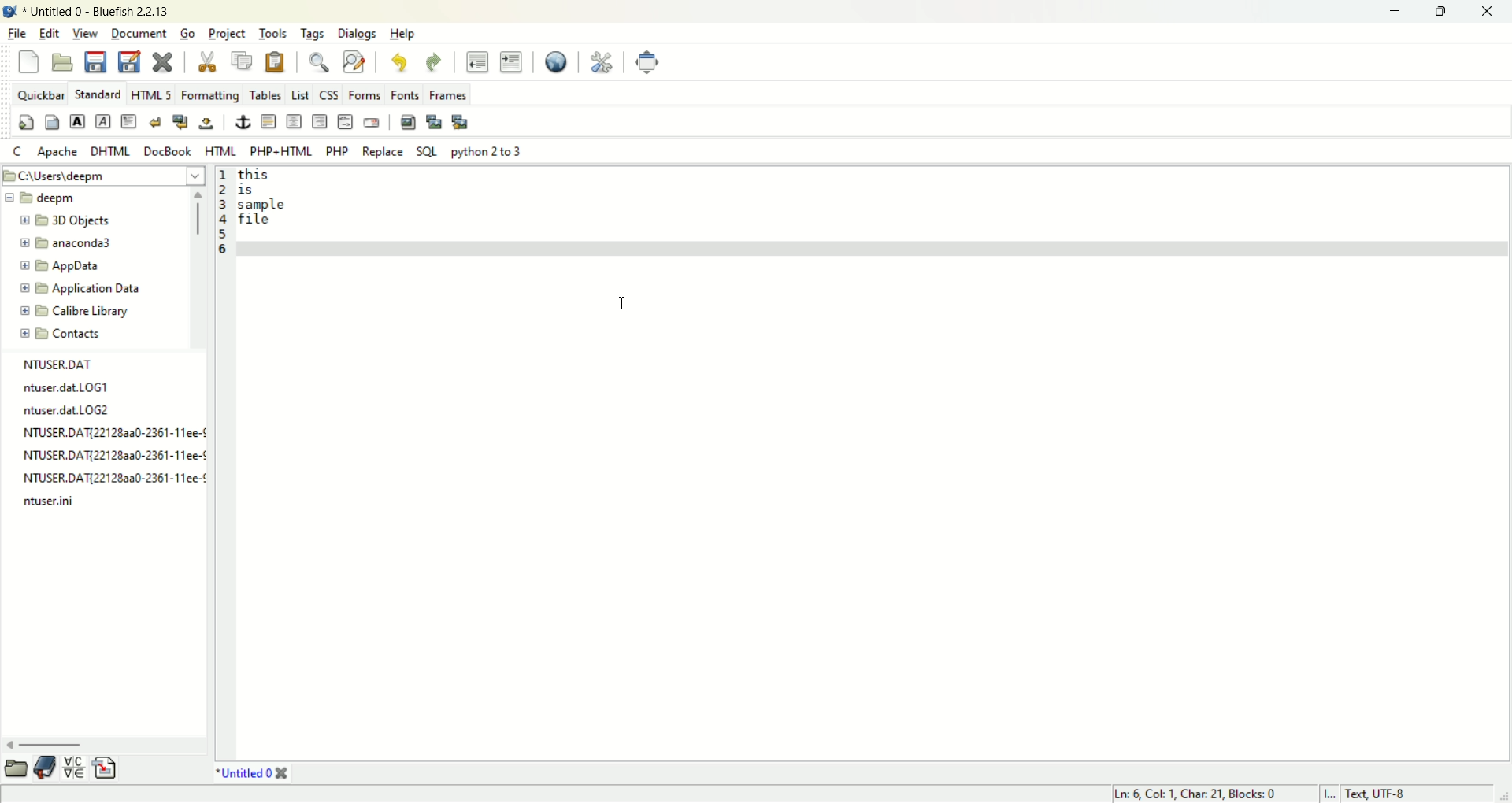  I want to click on frames, so click(448, 94).